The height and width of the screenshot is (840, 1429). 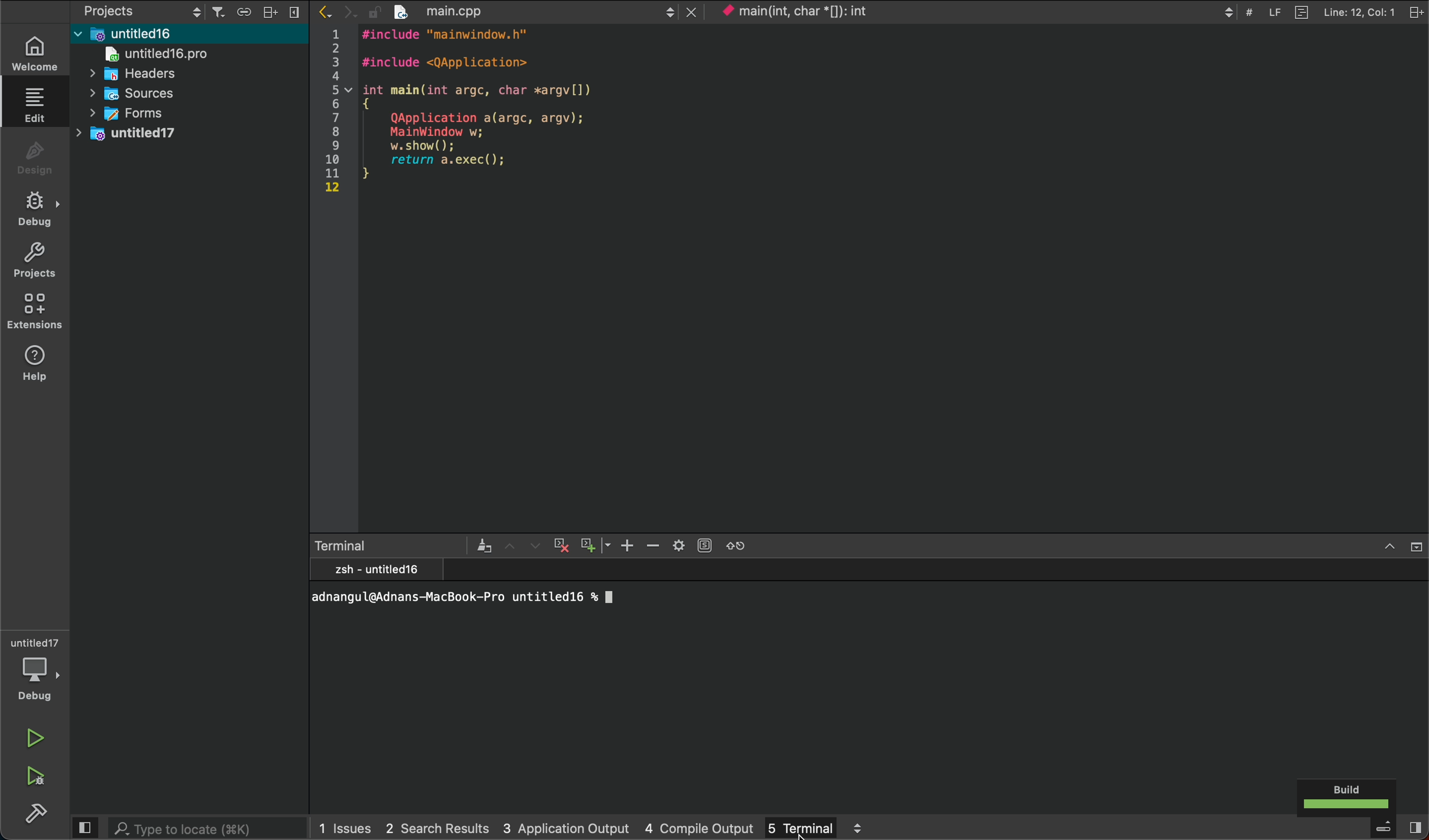 I want to click on Debugger , so click(x=36, y=668).